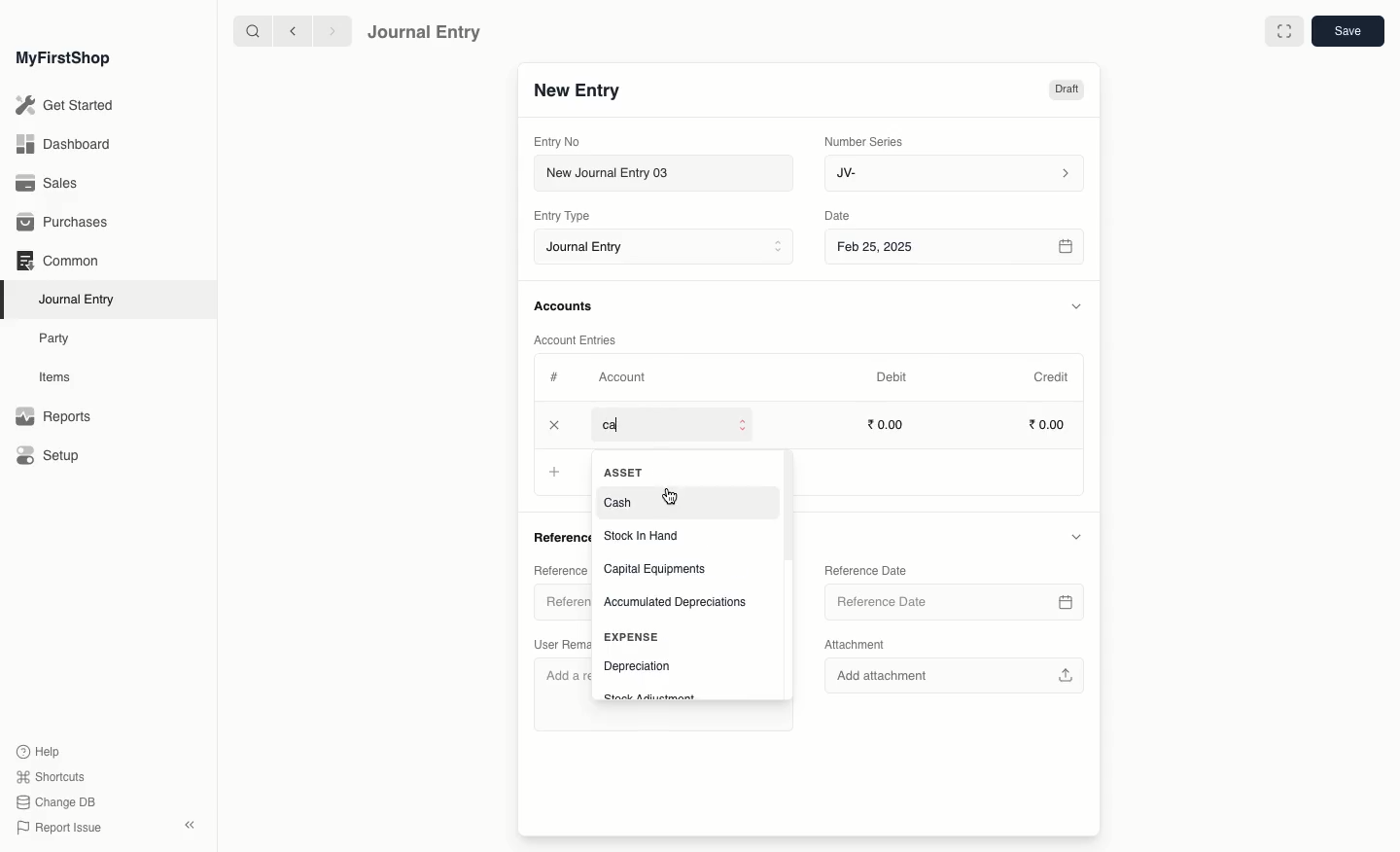  What do you see at coordinates (1048, 427) in the screenshot?
I see `0.00` at bounding box center [1048, 427].